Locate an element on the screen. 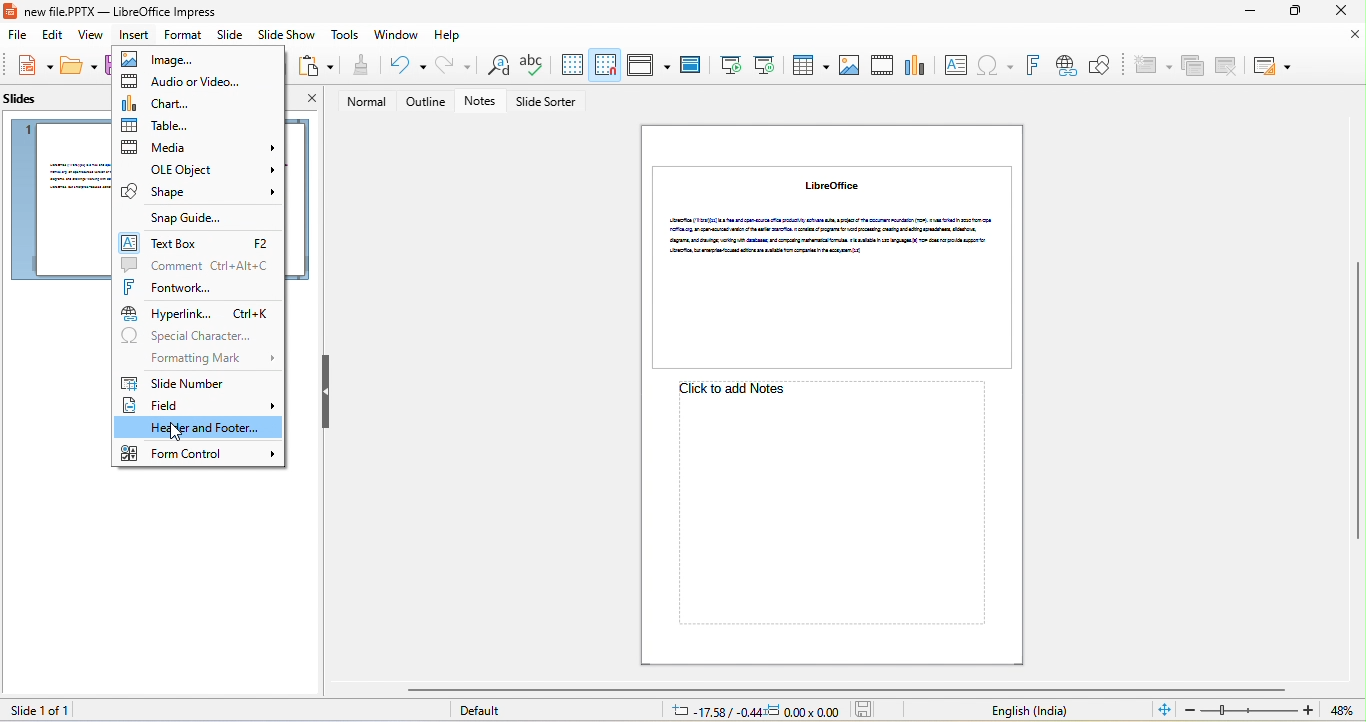 This screenshot has height=722, width=1366. current zoom 71% is located at coordinates (1347, 711).